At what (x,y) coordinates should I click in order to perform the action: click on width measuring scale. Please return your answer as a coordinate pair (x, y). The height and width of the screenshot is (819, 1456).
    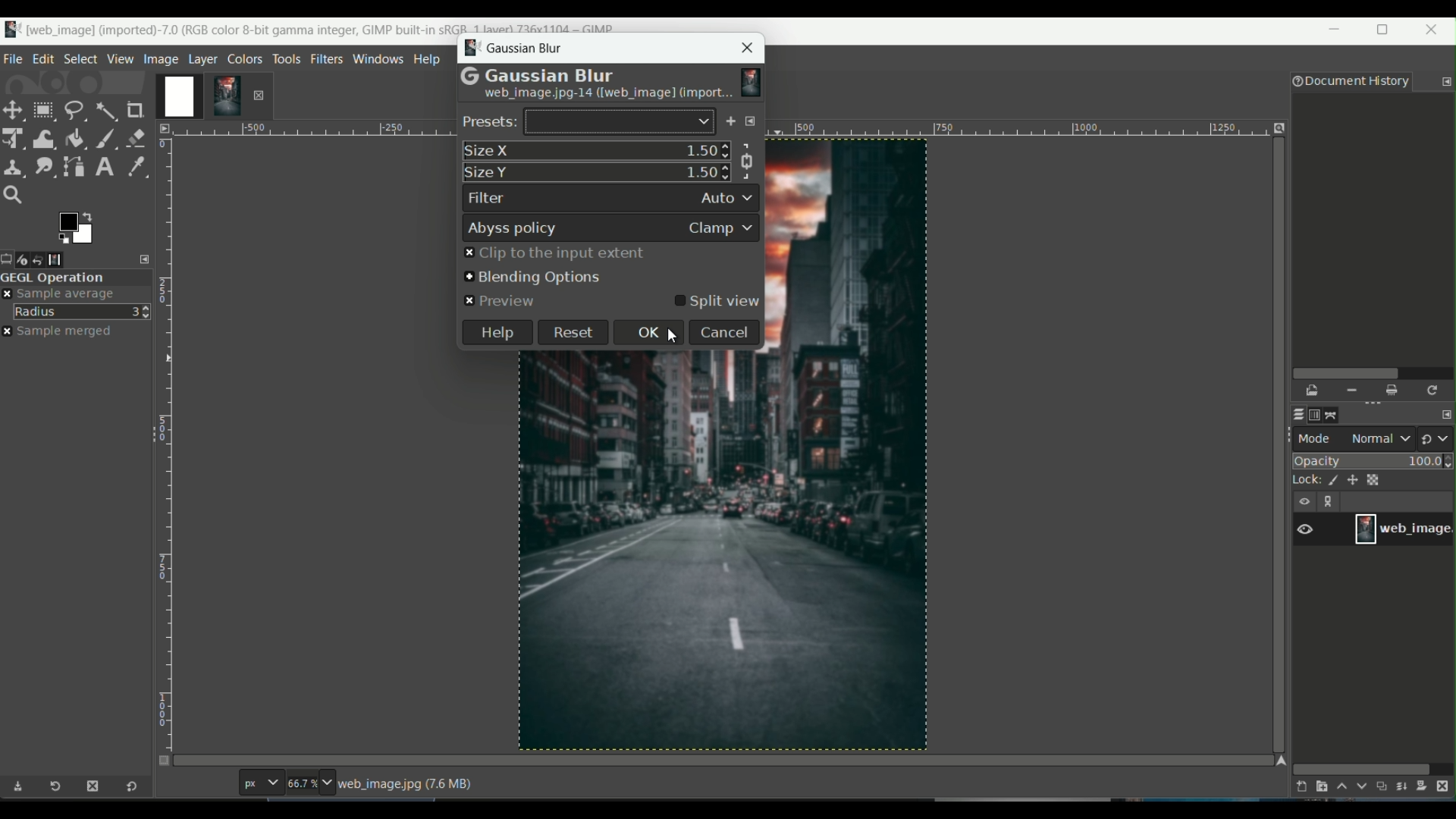
    Looking at the image, I should click on (309, 134).